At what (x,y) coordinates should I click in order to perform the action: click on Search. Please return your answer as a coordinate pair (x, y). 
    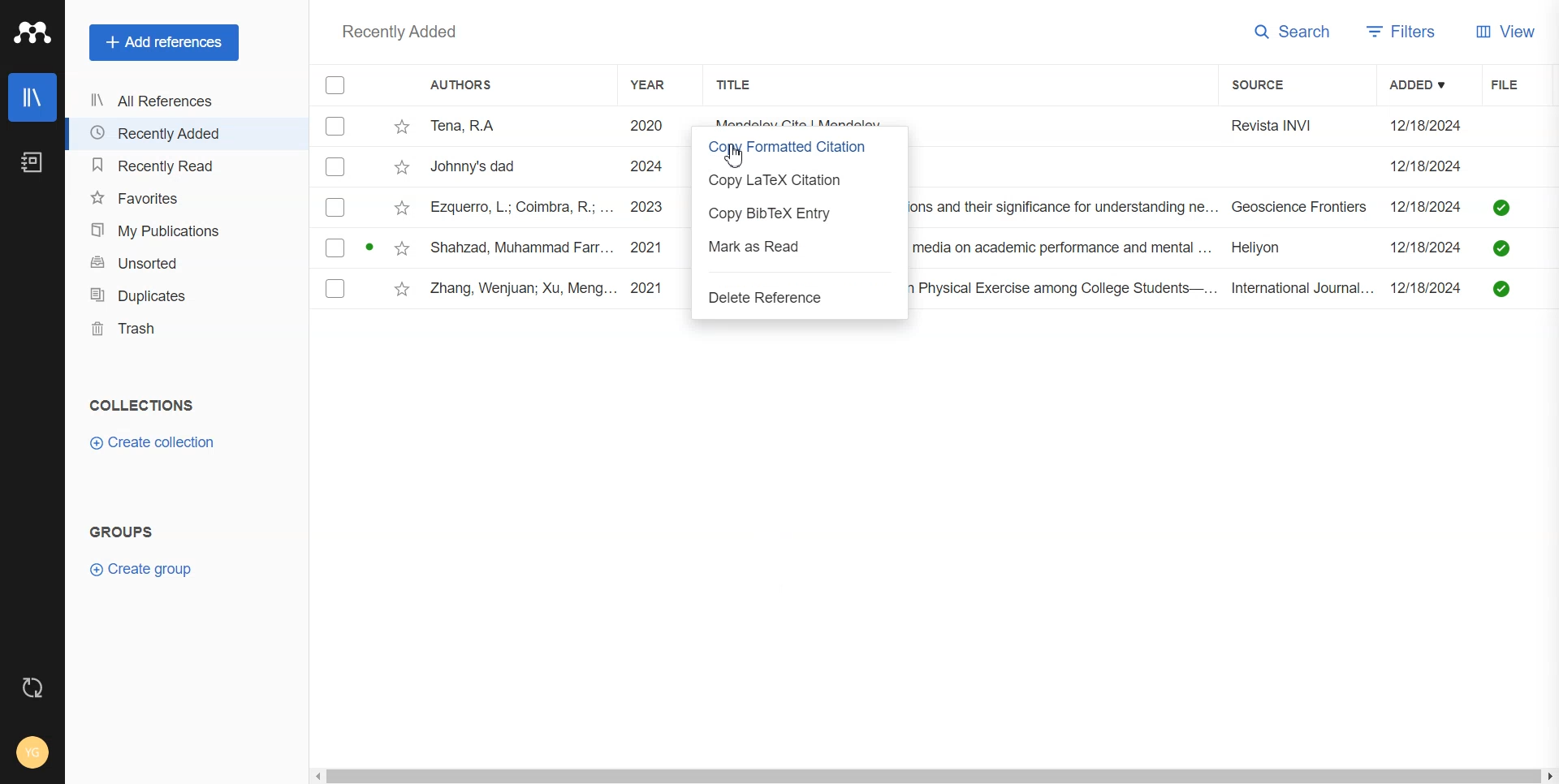
    Looking at the image, I should click on (1292, 33).